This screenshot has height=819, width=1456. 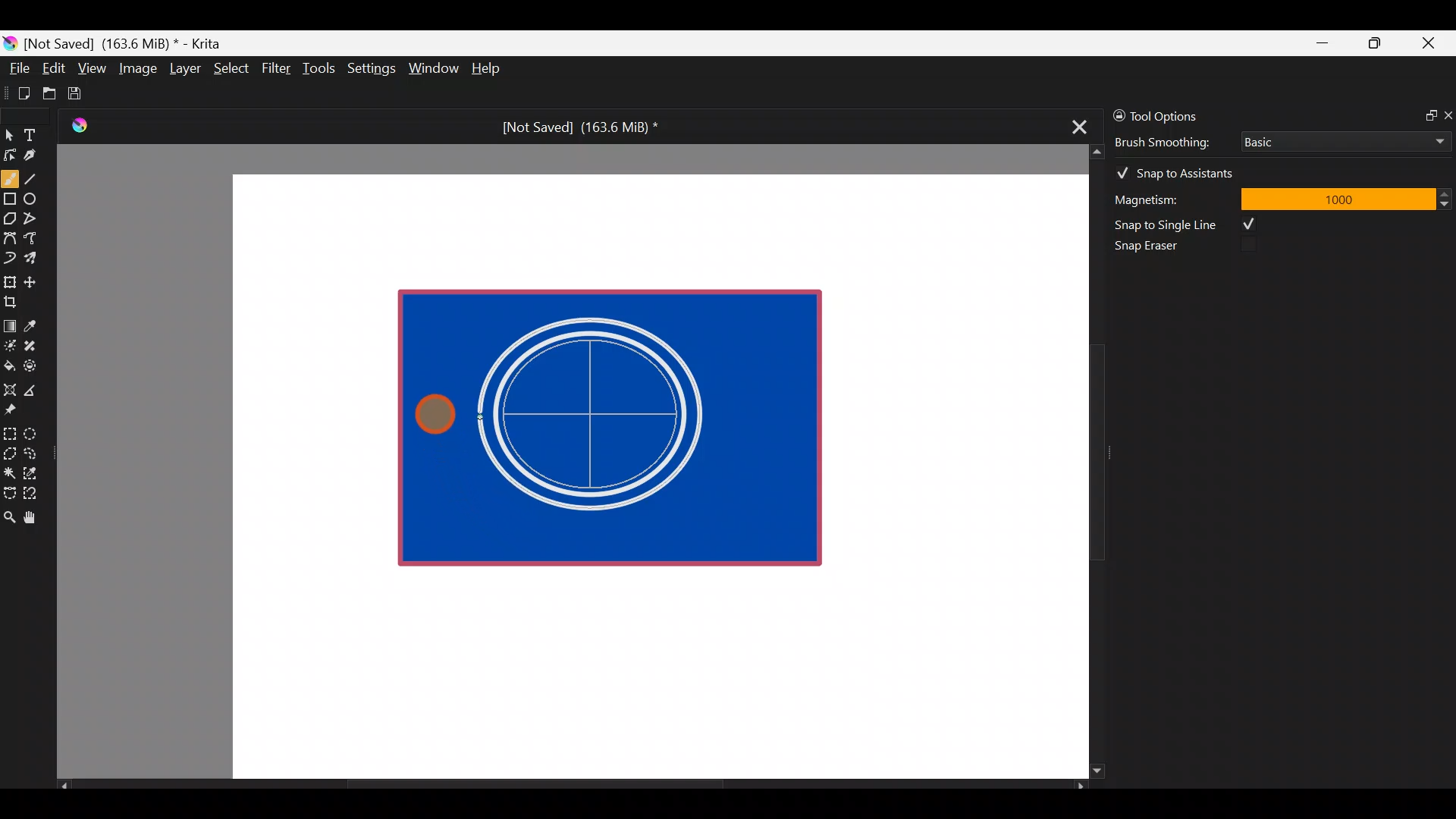 What do you see at coordinates (1116, 113) in the screenshot?
I see `Lock/unlock docker` at bounding box center [1116, 113].